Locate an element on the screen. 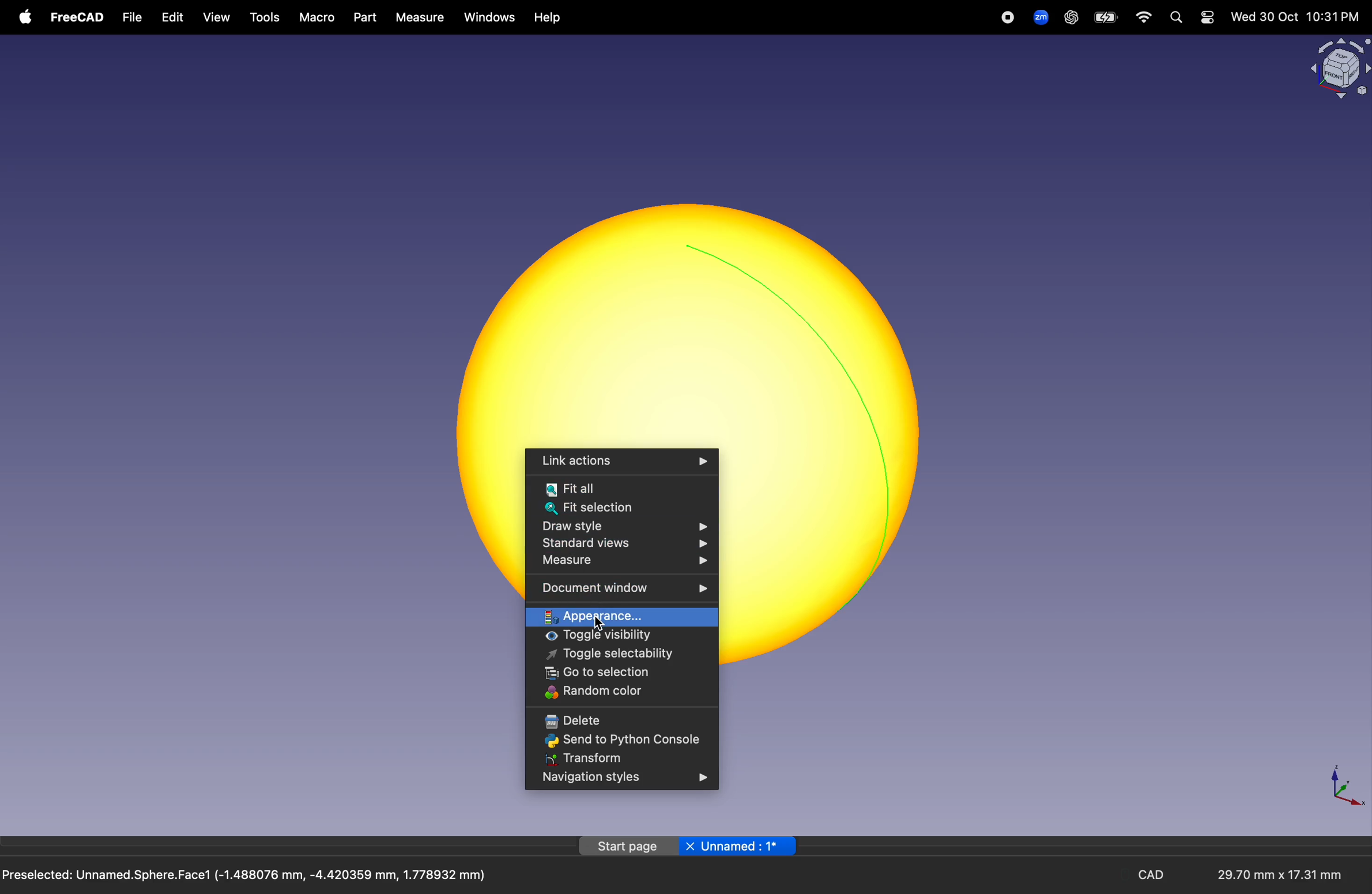 The height and width of the screenshot is (894, 1372). Wed 30 Oct 10:31 PM is located at coordinates (1294, 17).